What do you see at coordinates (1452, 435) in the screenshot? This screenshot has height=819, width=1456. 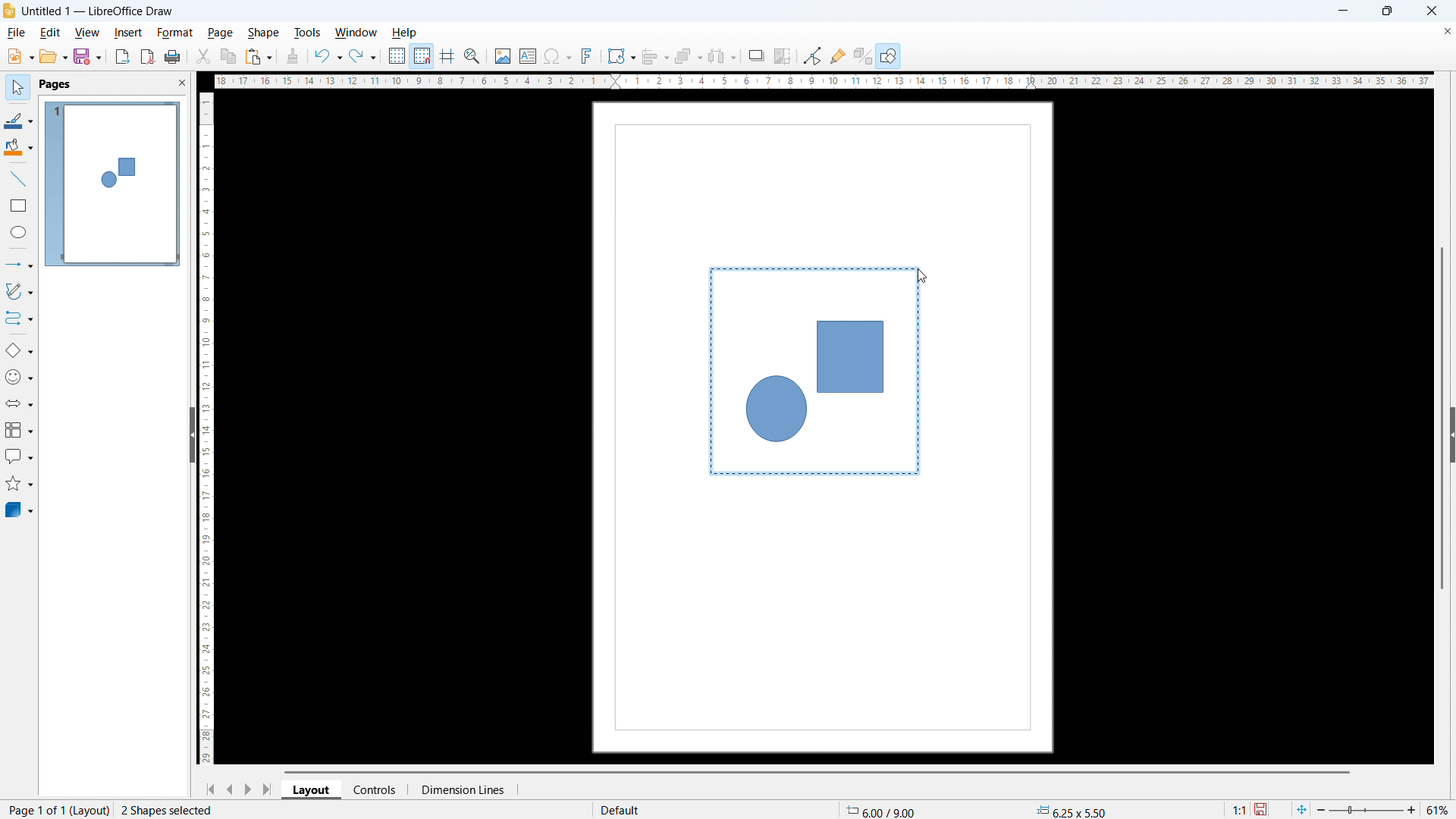 I see `expand sidebar` at bounding box center [1452, 435].